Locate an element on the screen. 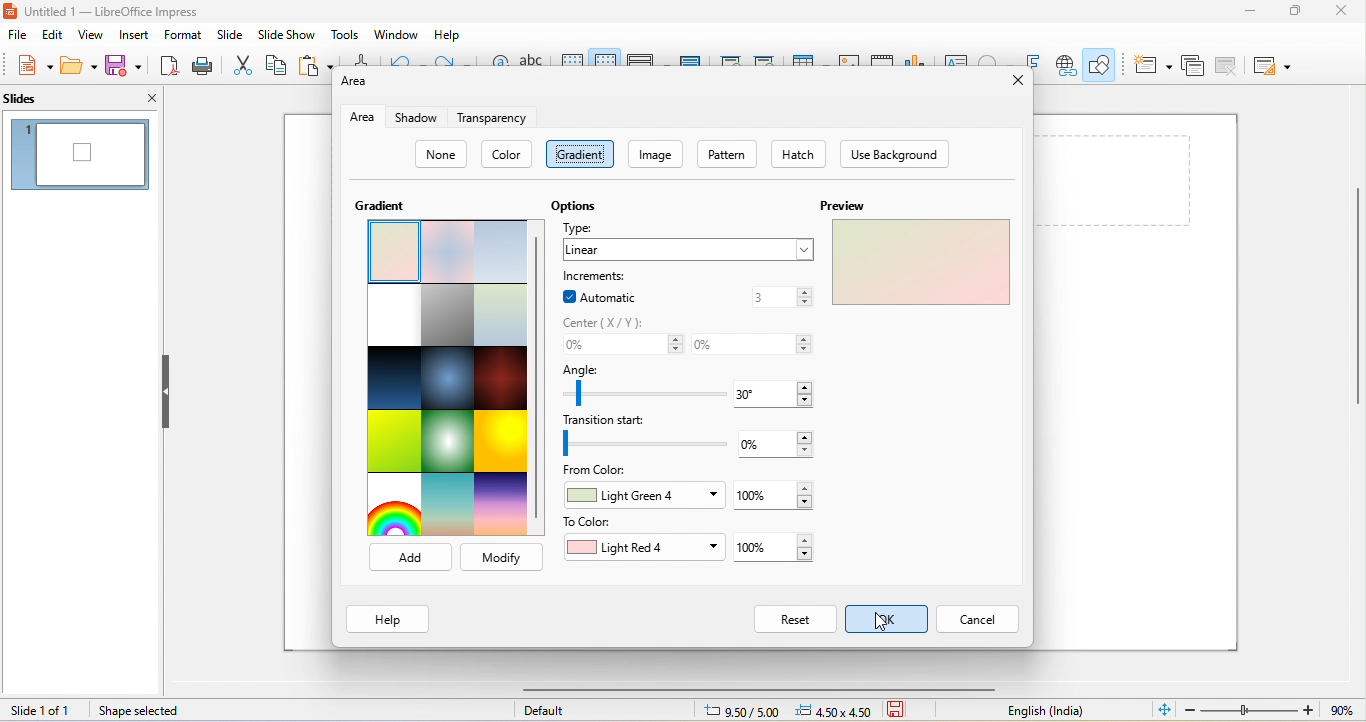 The image size is (1366, 722). show draw functions is located at coordinates (1102, 64).